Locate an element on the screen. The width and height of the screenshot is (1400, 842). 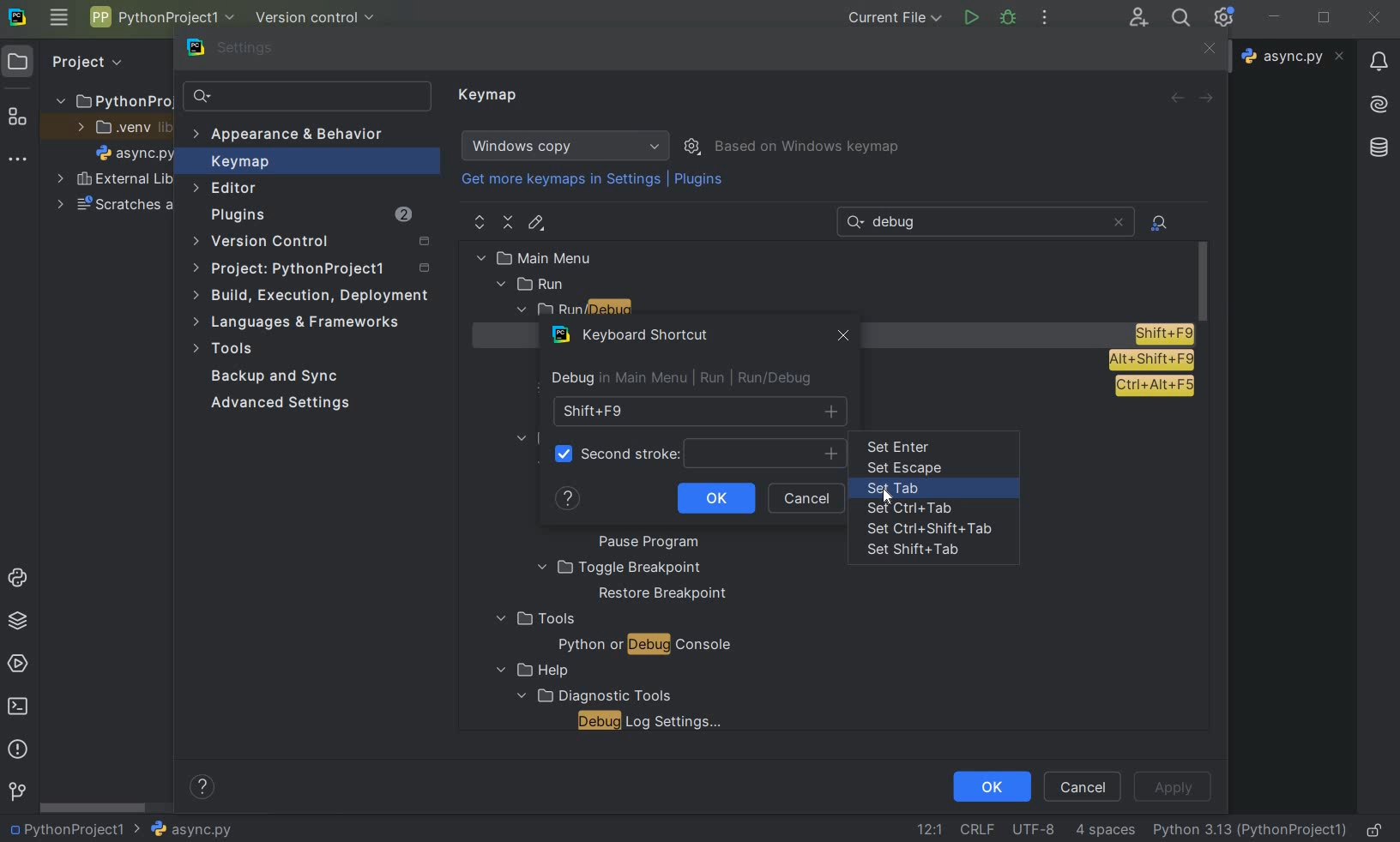
make file readable only is located at coordinates (1376, 828).